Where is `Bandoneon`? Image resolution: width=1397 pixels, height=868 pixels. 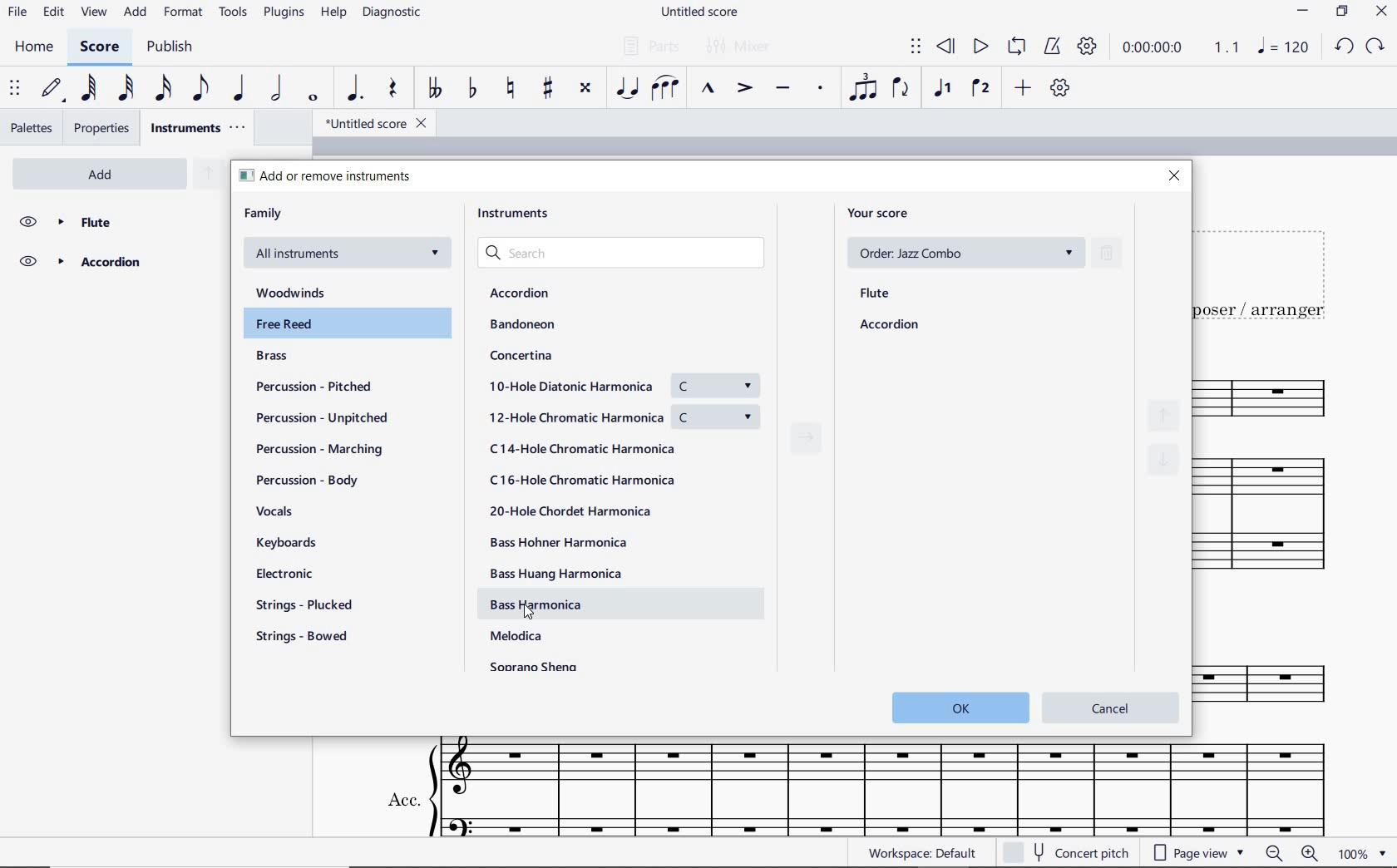
Bandoneon is located at coordinates (524, 326).